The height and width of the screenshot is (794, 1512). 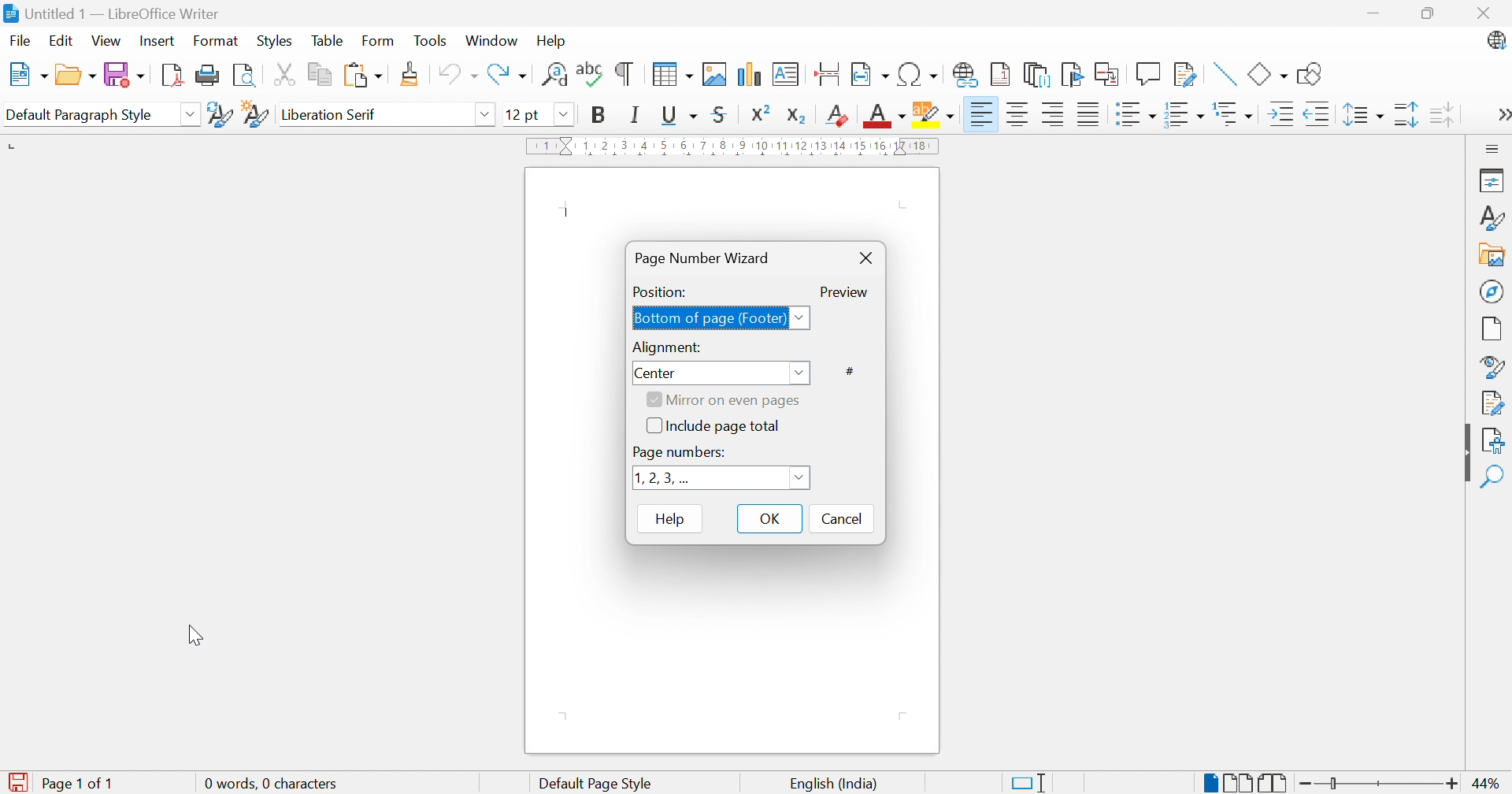 What do you see at coordinates (552, 42) in the screenshot?
I see `Help` at bounding box center [552, 42].